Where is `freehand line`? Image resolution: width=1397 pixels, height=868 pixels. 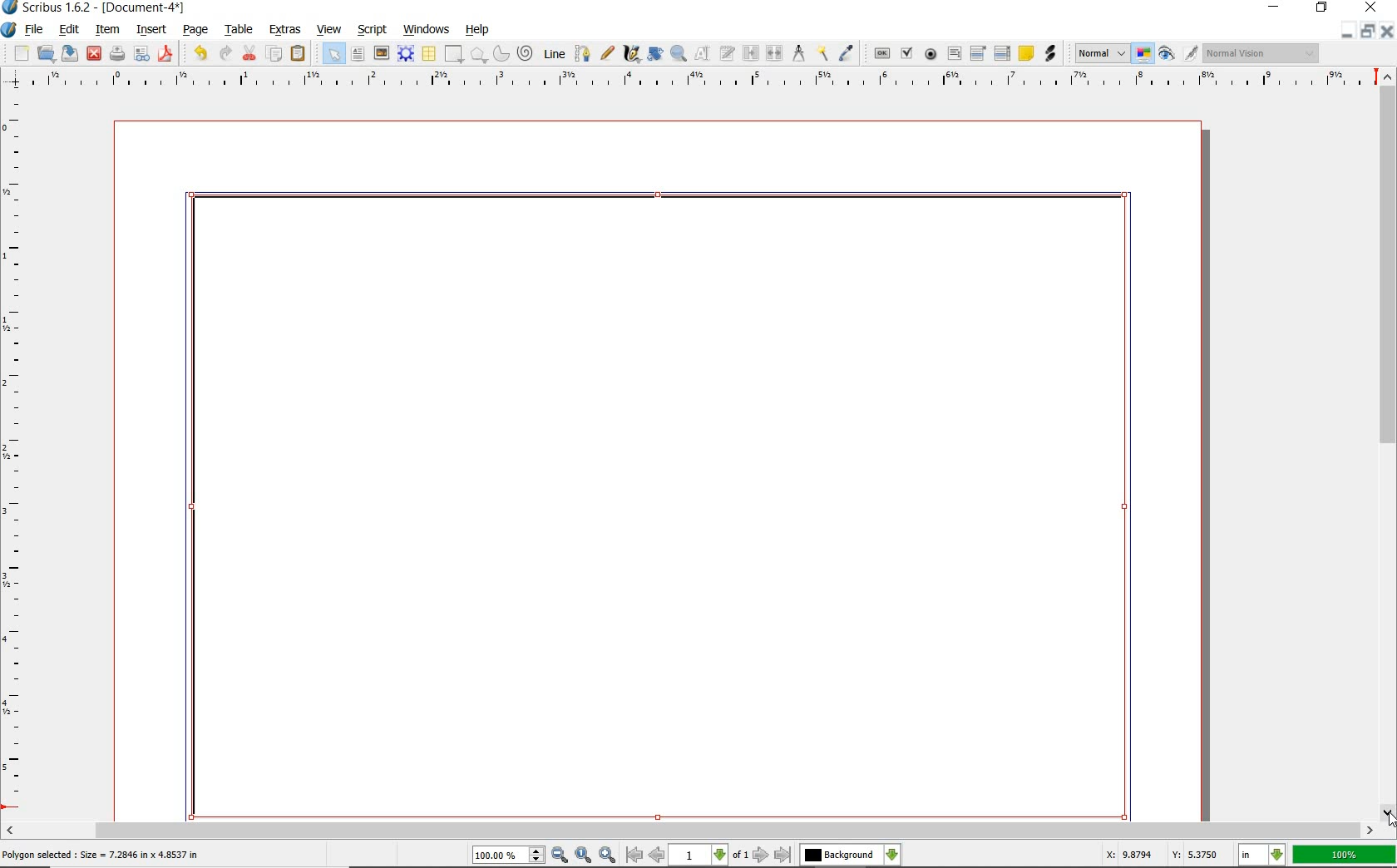 freehand line is located at coordinates (609, 54).